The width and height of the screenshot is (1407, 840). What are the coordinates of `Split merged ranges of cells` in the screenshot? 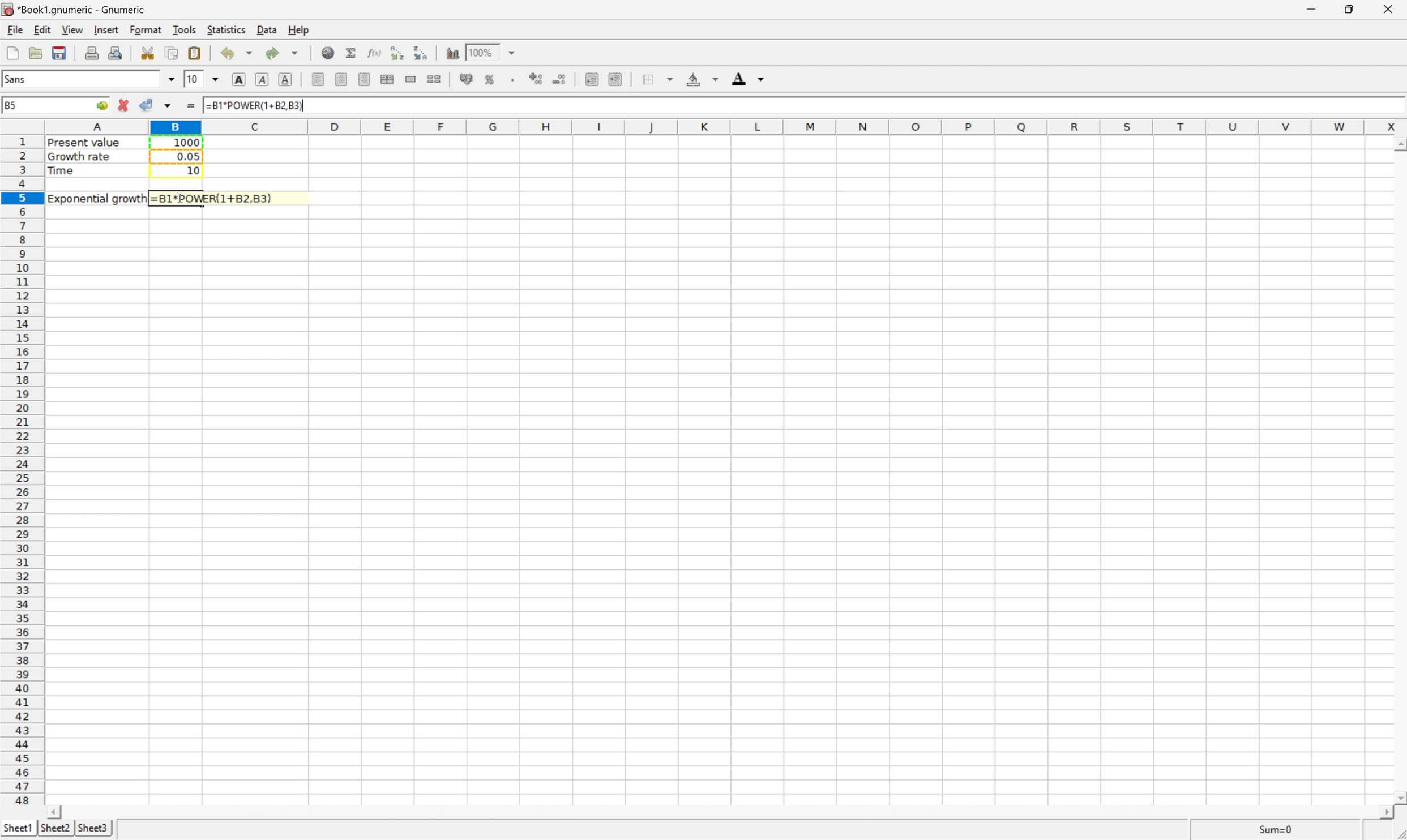 It's located at (434, 78).